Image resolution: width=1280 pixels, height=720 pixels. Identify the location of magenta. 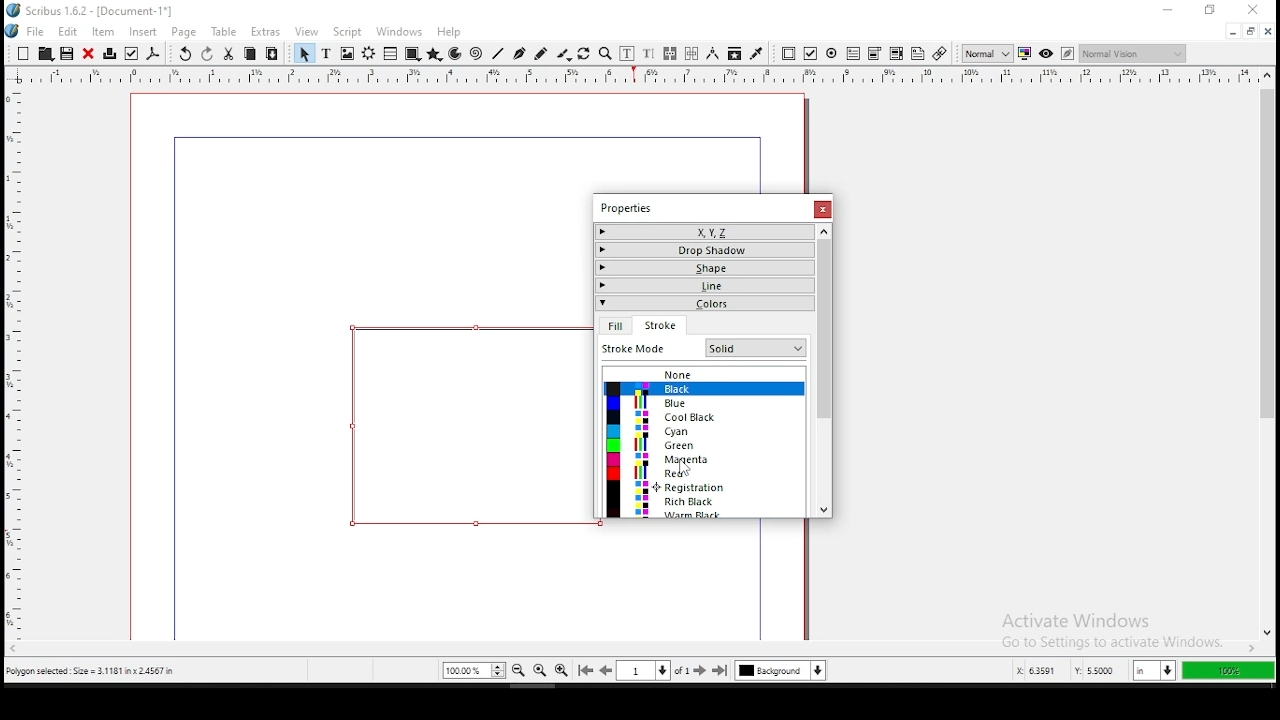
(704, 459).